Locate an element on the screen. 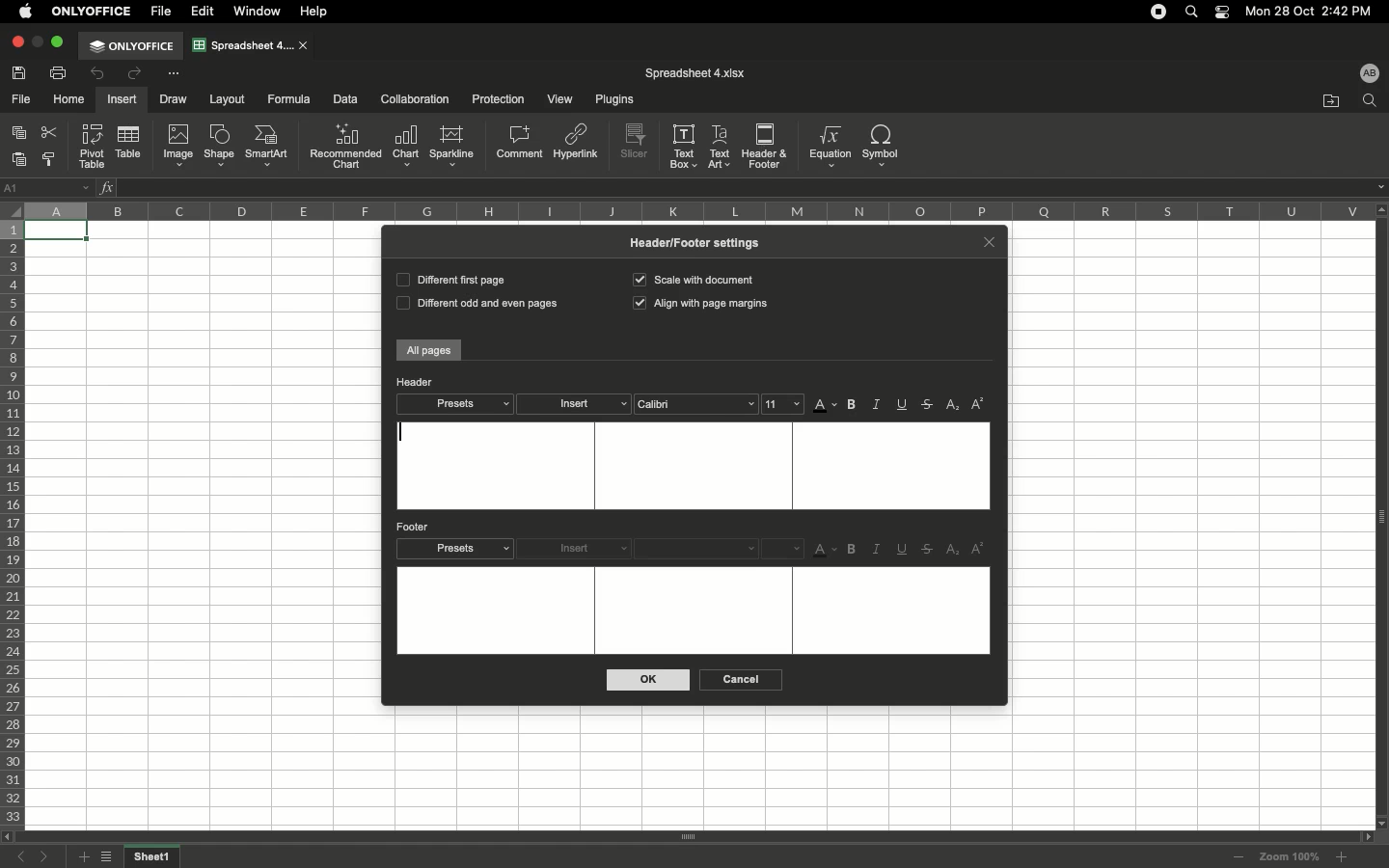 The width and height of the screenshot is (1389, 868). OnlyOffice is located at coordinates (93, 12).